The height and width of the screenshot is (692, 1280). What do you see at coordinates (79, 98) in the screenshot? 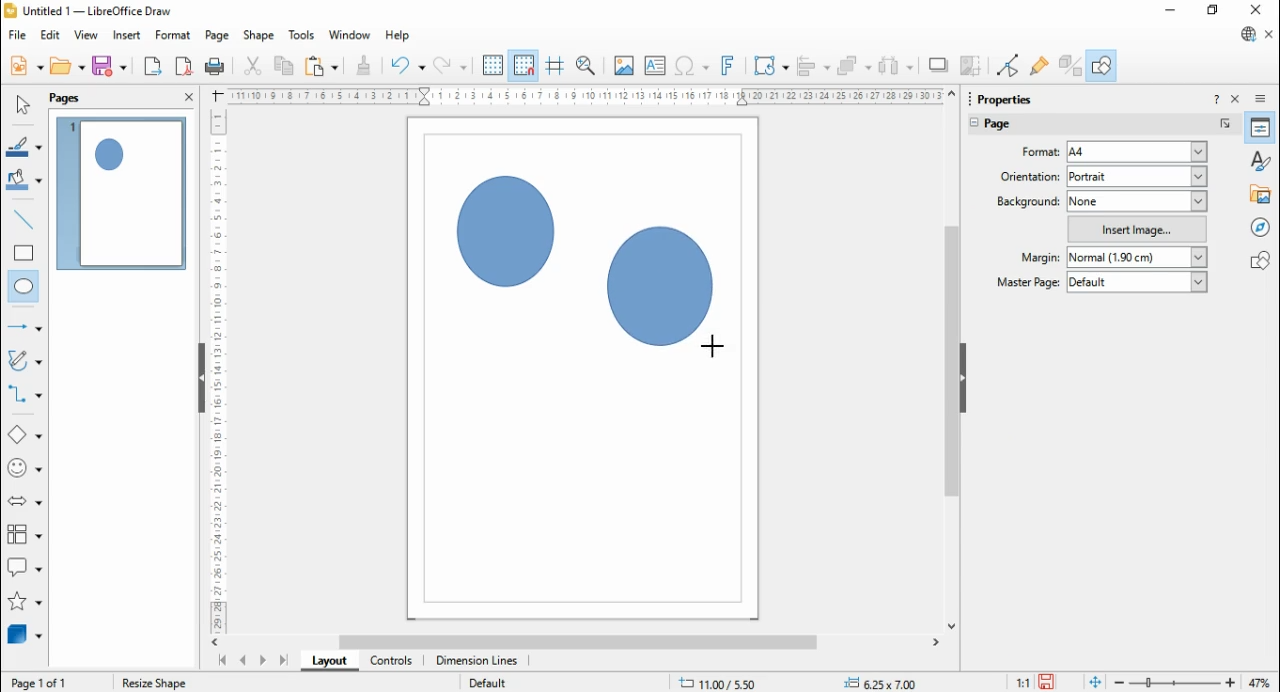
I see `pages panel` at bounding box center [79, 98].